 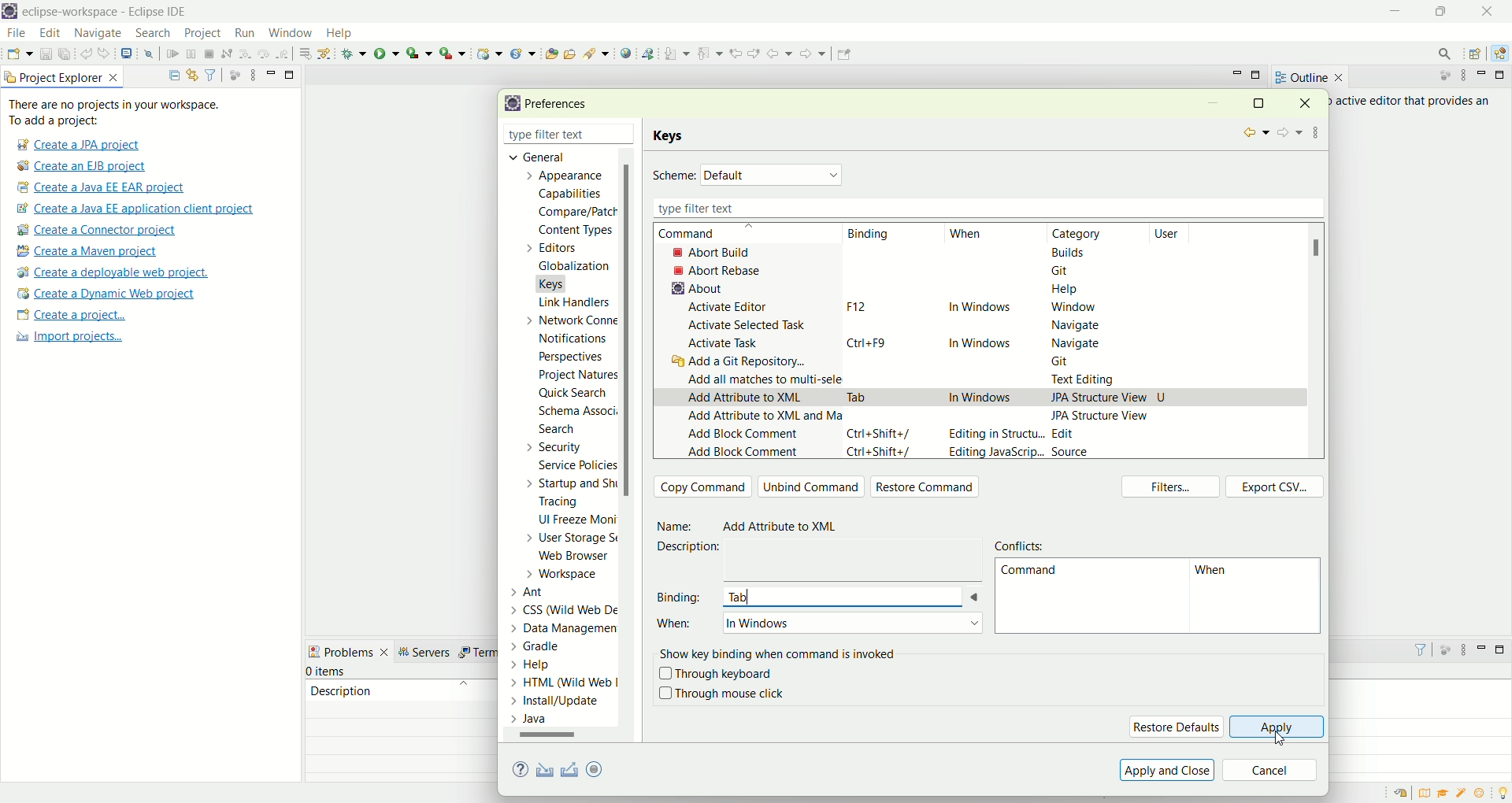 I want to click on servers, so click(x=428, y=652).